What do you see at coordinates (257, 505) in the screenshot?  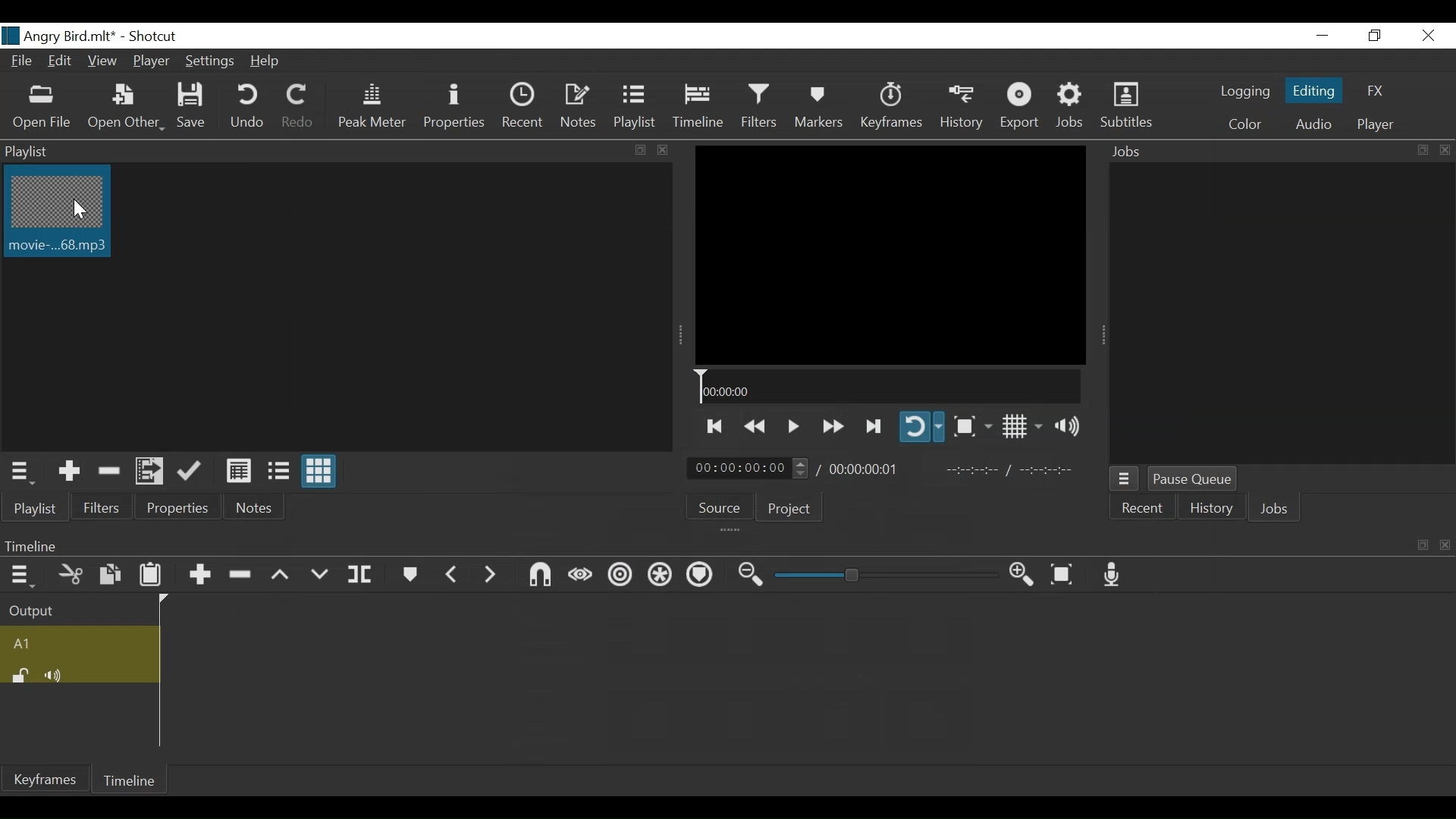 I see `Notes` at bounding box center [257, 505].